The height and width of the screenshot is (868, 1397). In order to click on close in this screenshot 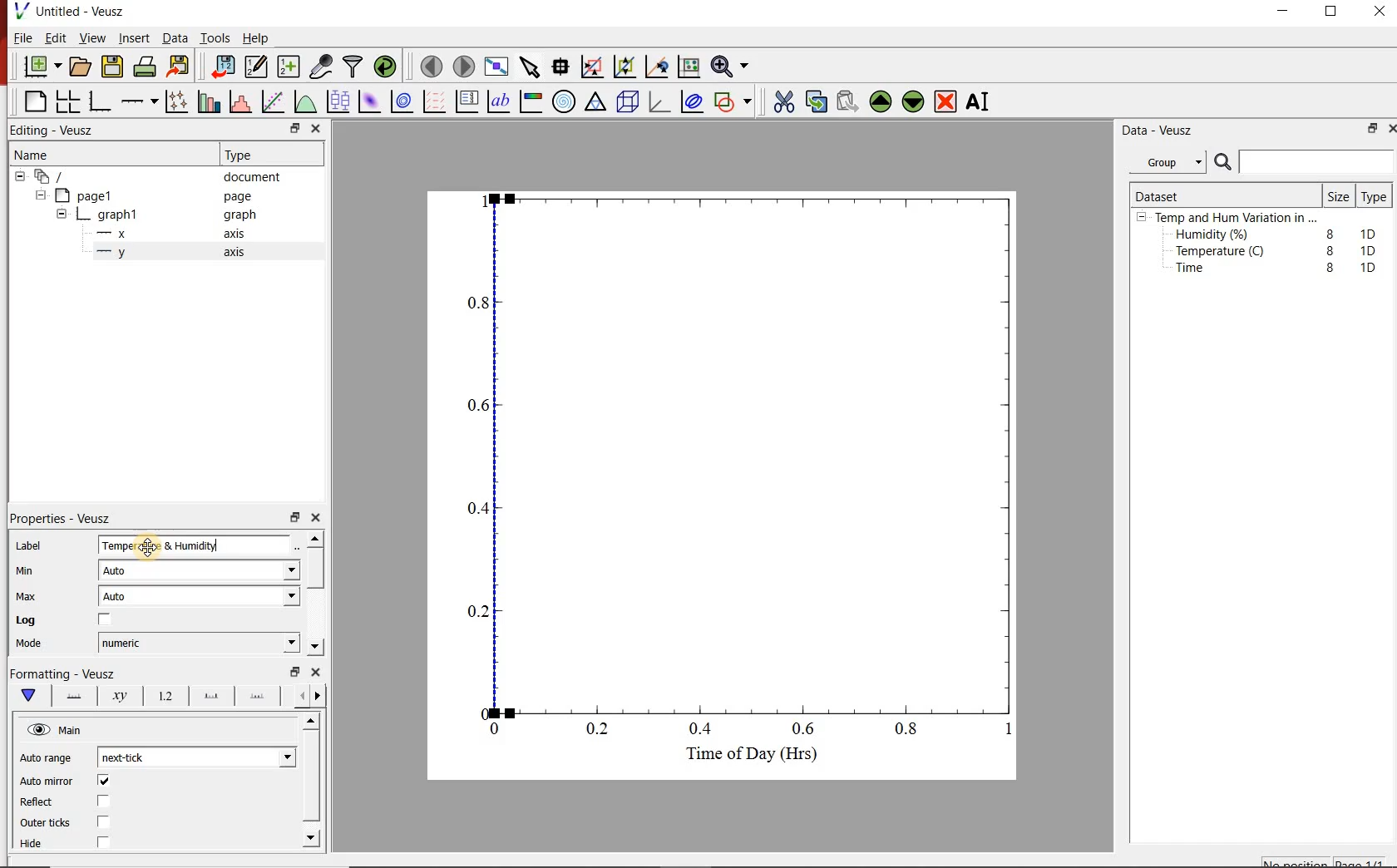, I will do `click(1380, 12)`.